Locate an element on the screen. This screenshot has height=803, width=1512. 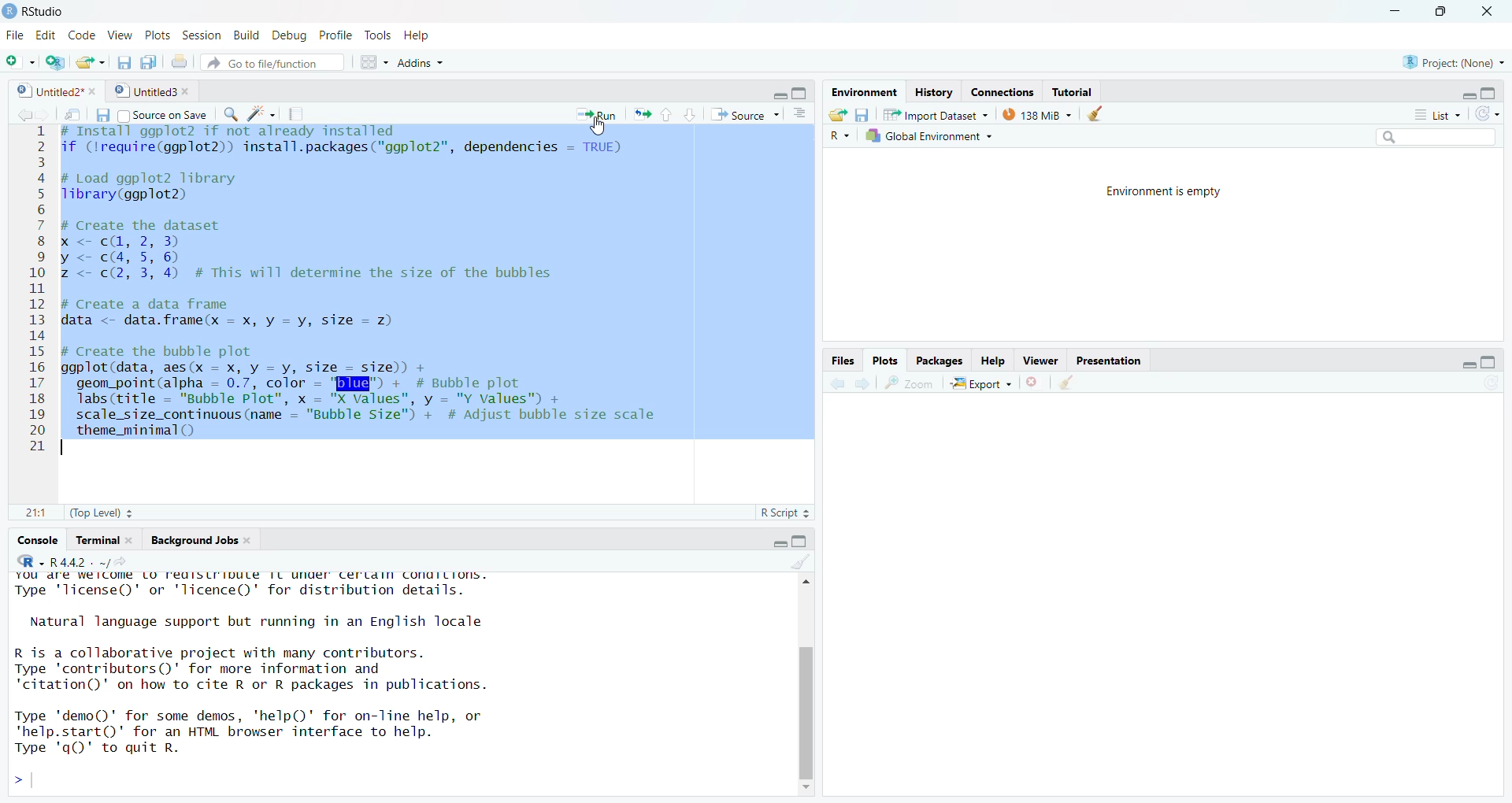
cursor is located at coordinates (592, 128).